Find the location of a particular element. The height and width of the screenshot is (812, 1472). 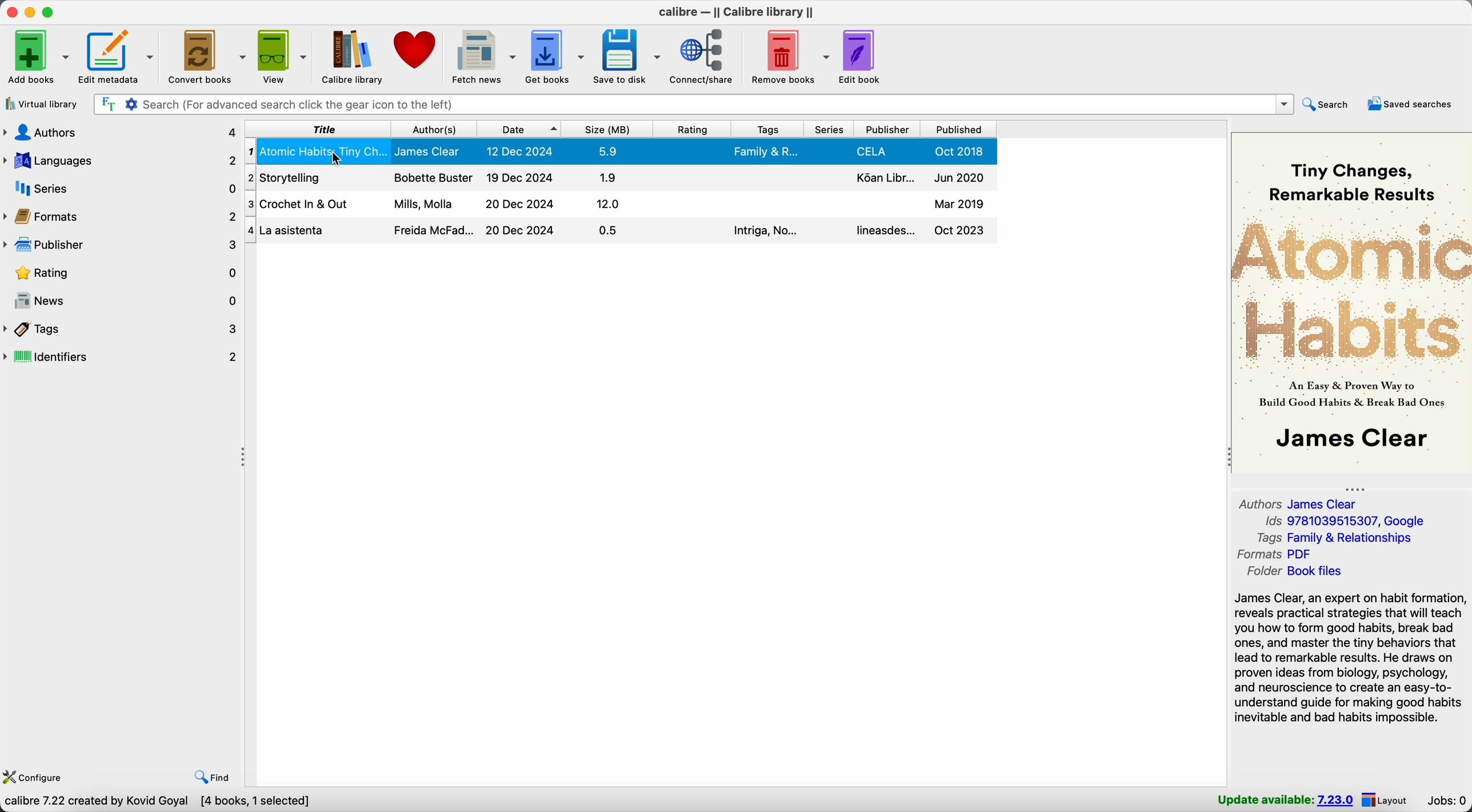

folder is located at coordinates (1293, 573).